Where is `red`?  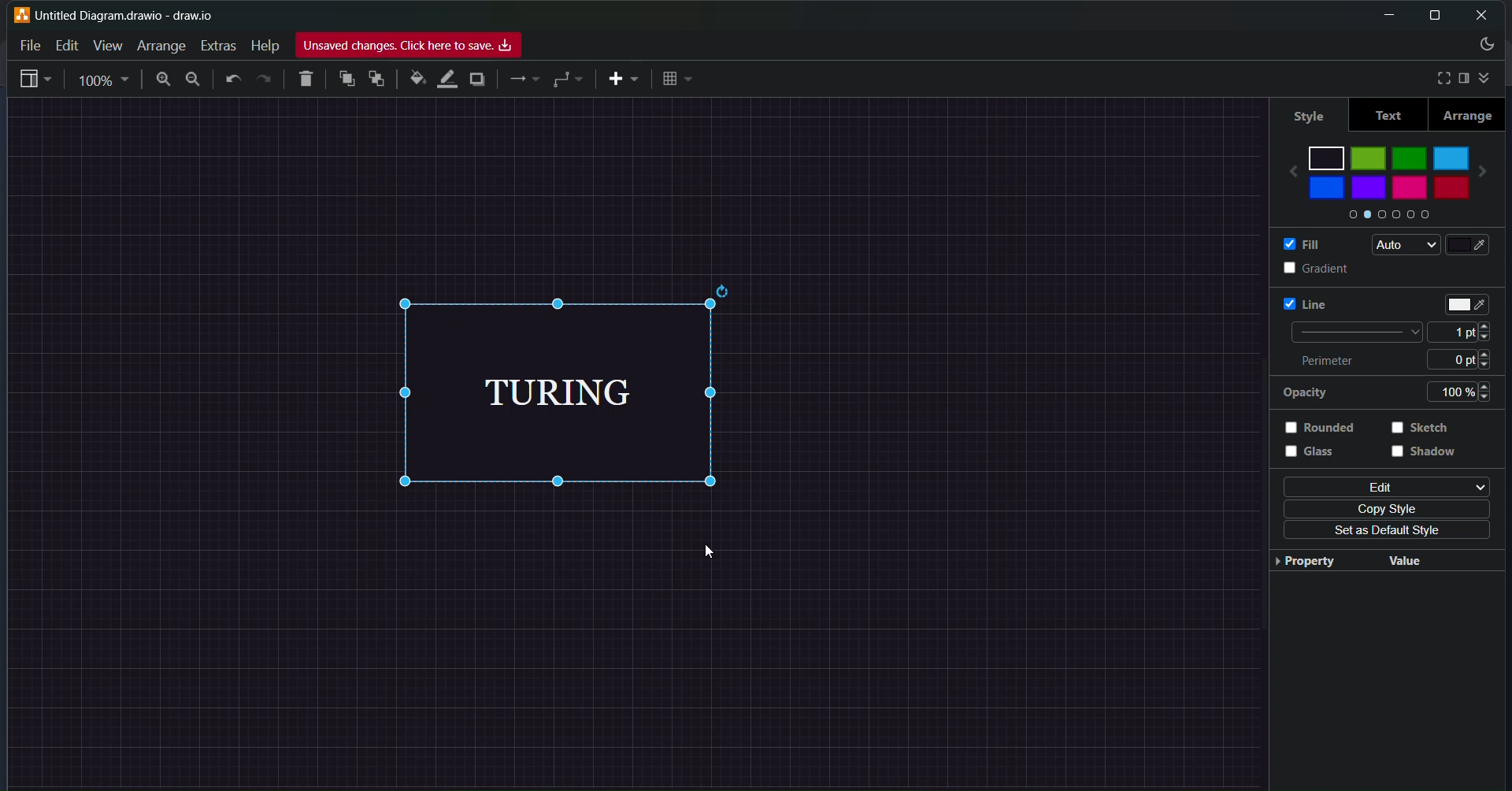 red is located at coordinates (1449, 189).